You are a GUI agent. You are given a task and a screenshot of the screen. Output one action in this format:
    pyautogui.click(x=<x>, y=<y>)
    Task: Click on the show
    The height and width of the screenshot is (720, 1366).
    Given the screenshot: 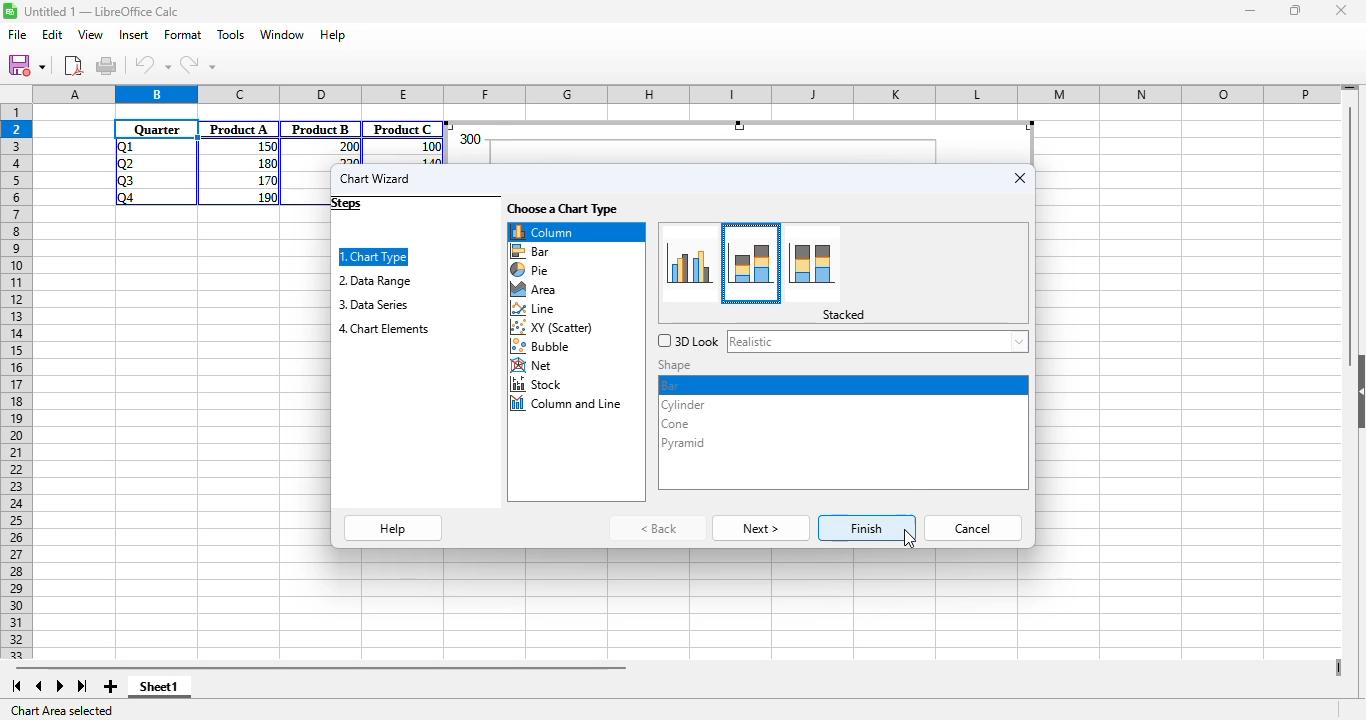 What is the action you would take?
    pyautogui.click(x=1357, y=392)
    